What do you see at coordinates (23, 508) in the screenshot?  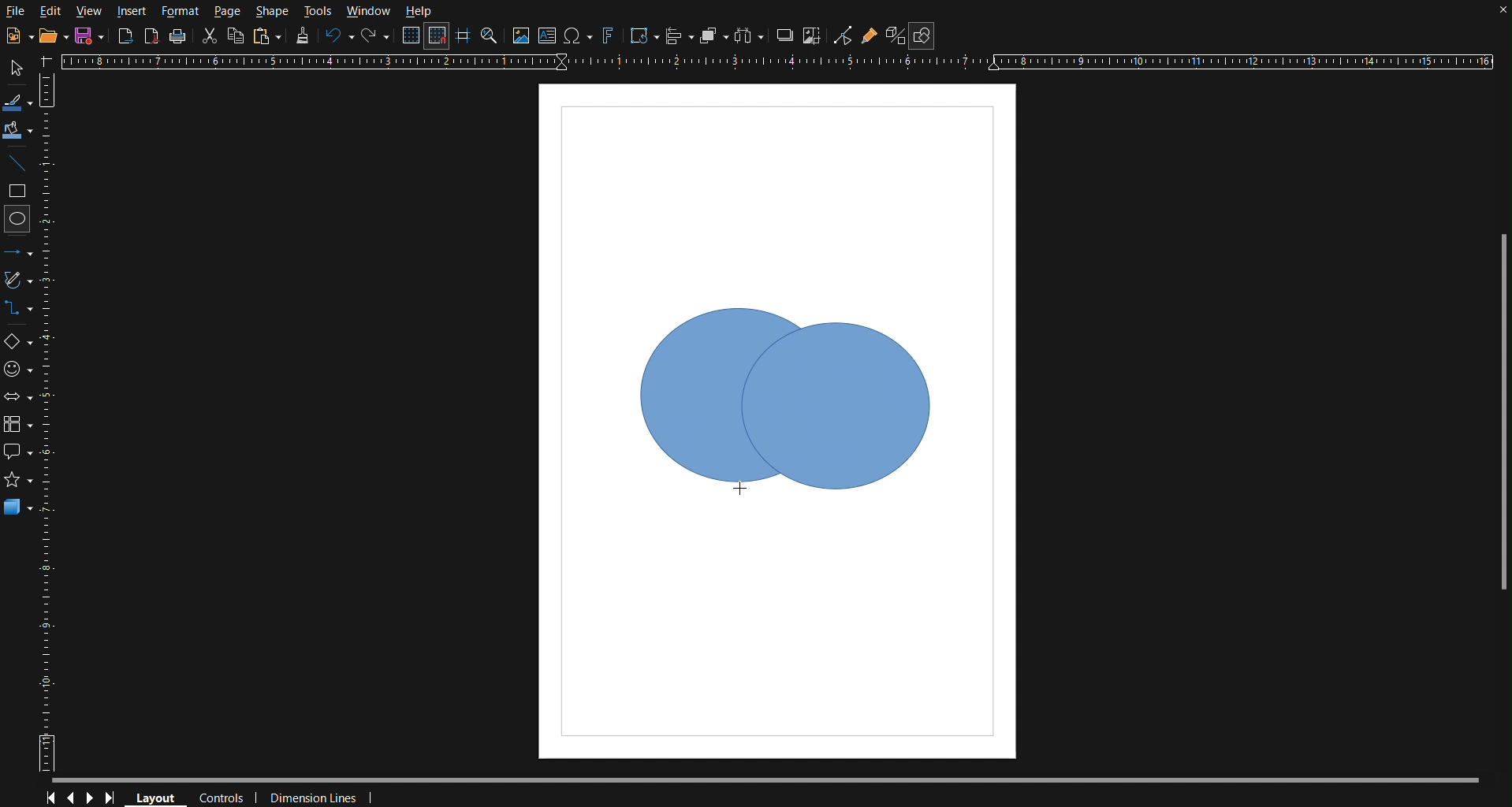 I see `3D Objects` at bounding box center [23, 508].